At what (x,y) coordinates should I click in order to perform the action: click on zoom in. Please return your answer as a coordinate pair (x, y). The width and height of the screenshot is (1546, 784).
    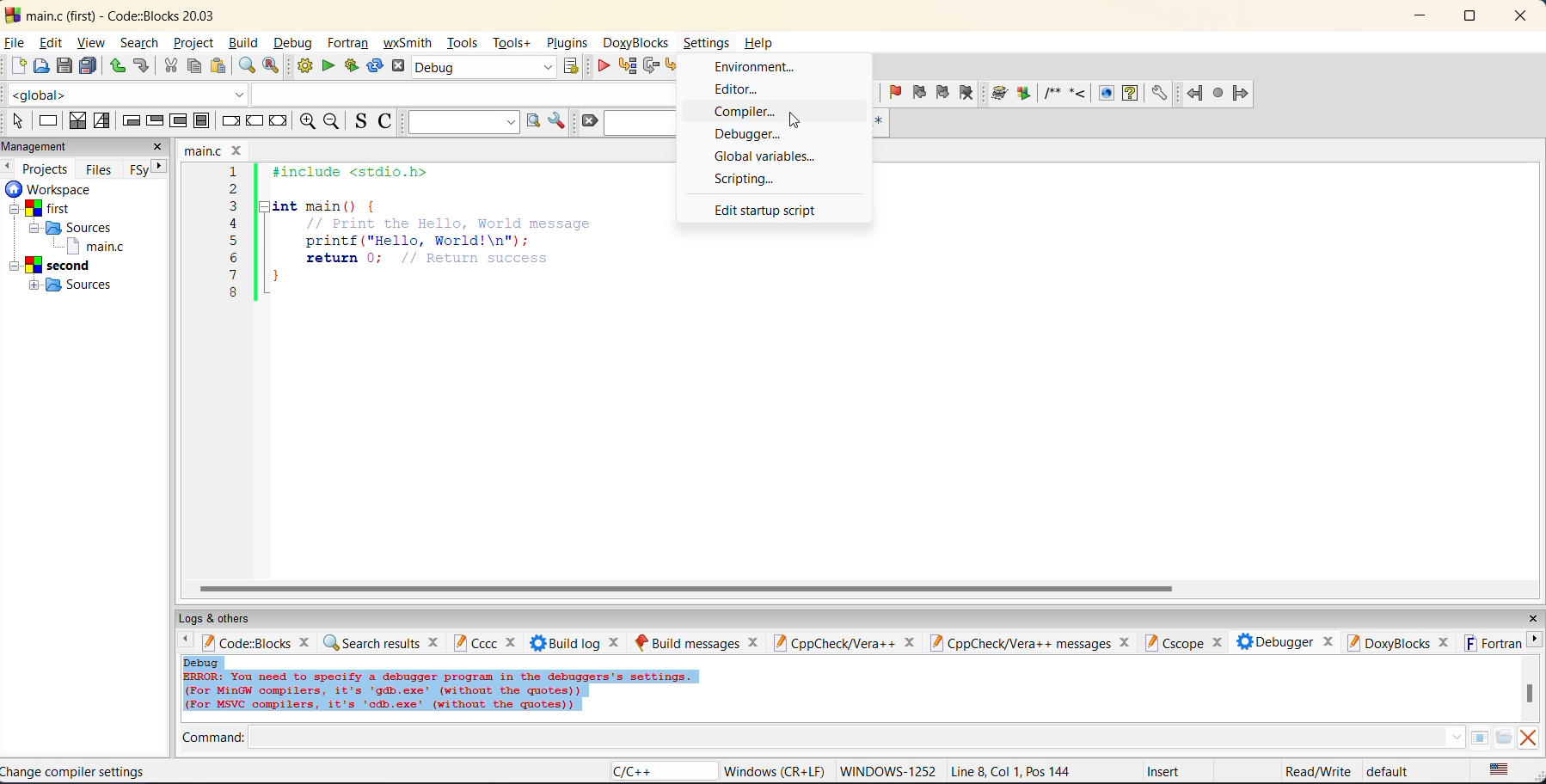
    Looking at the image, I should click on (310, 122).